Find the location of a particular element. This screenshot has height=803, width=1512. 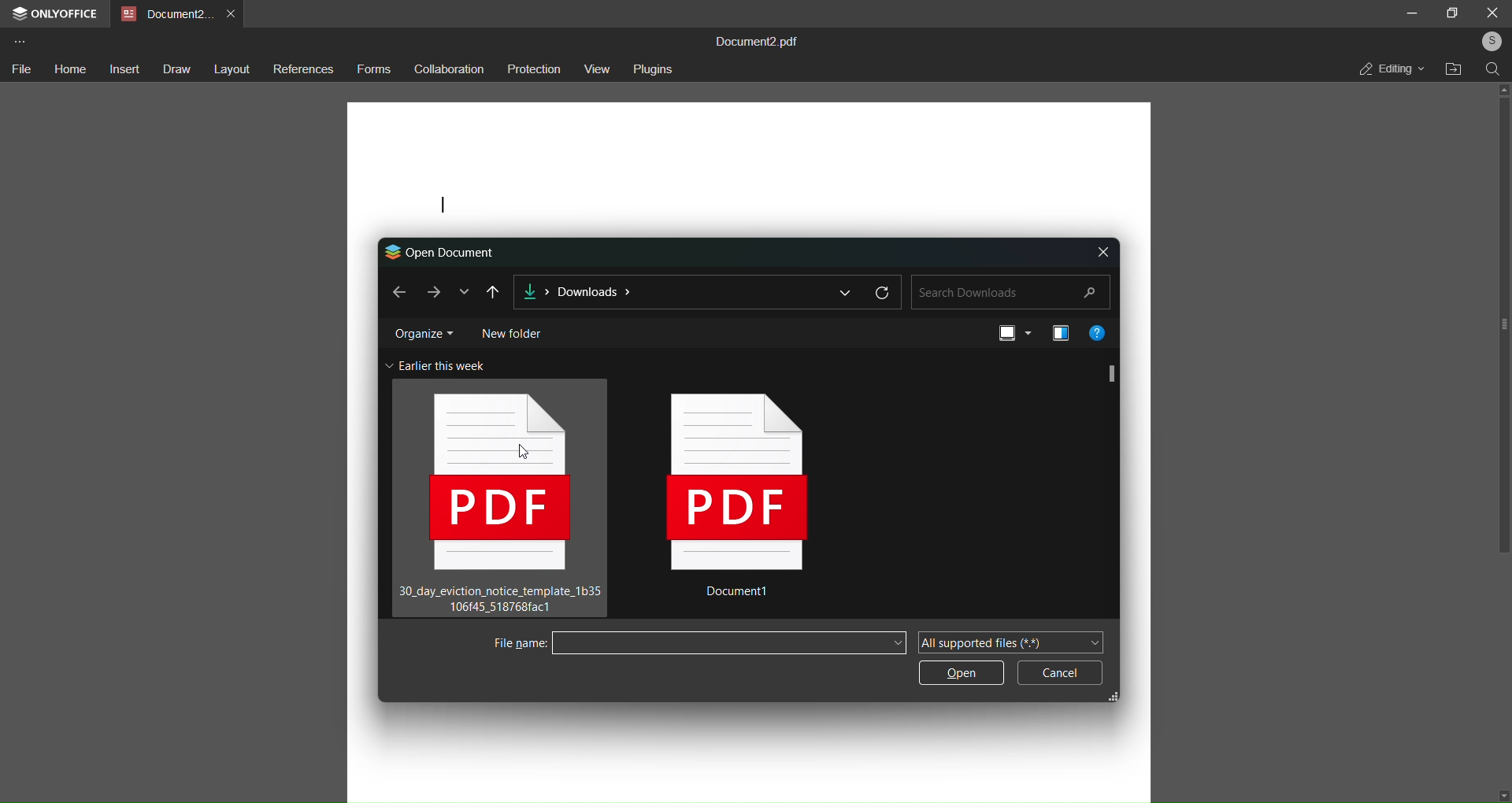

previous is located at coordinates (493, 291).